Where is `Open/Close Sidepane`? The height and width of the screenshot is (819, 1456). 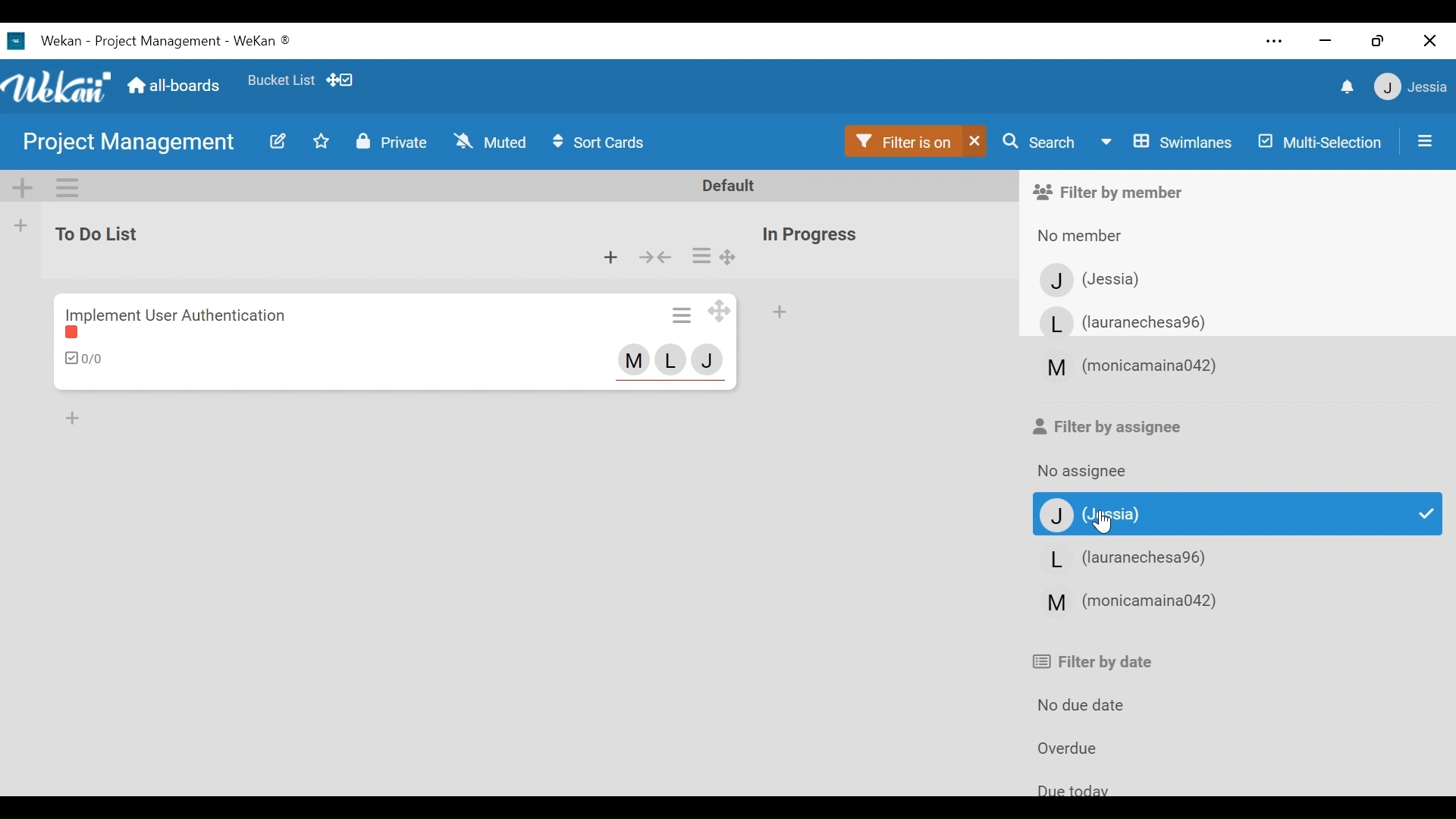
Open/Close Sidepane is located at coordinates (1423, 140).